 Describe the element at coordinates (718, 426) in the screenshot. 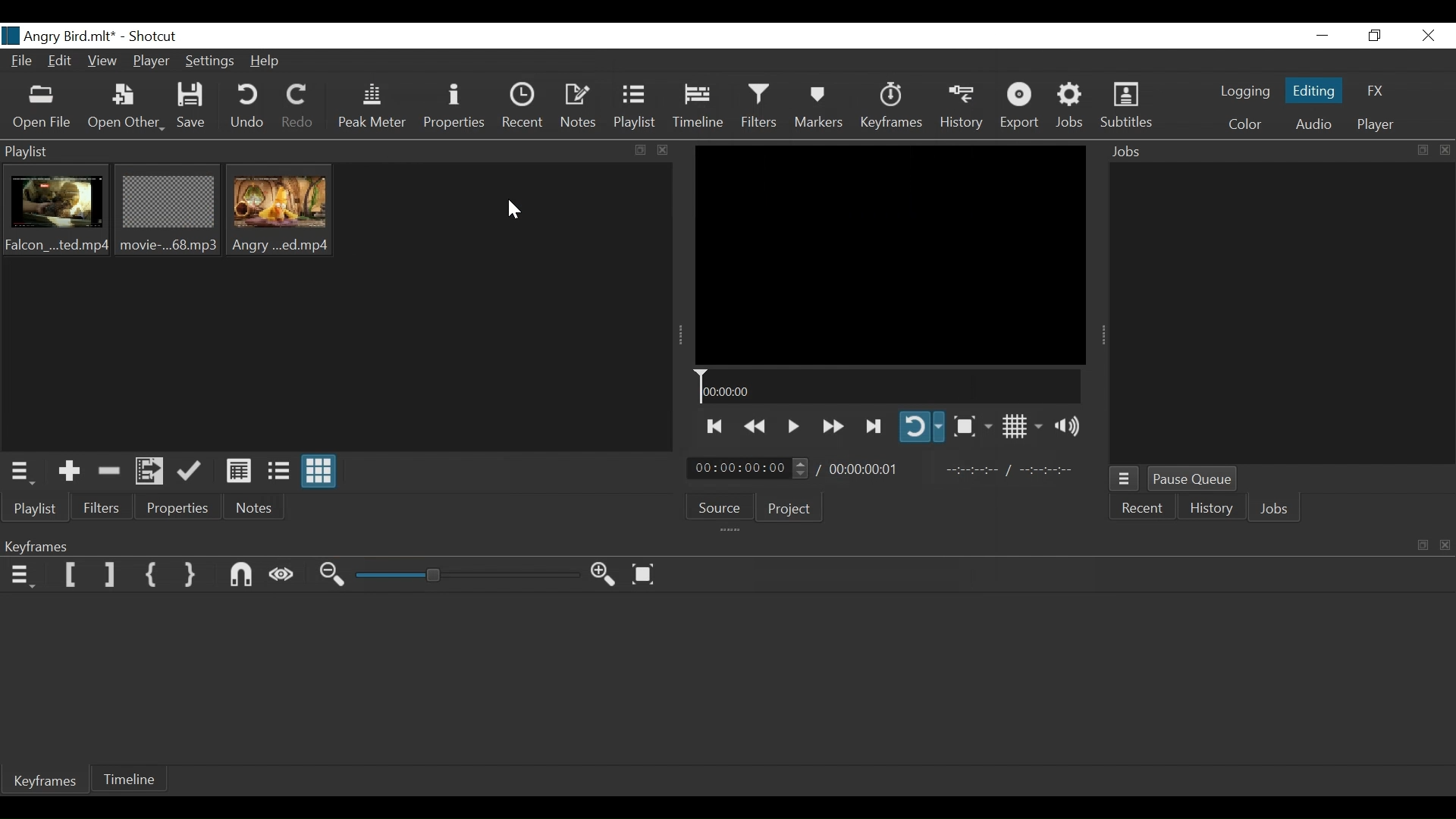

I see `Skip to the previous point` at that location.